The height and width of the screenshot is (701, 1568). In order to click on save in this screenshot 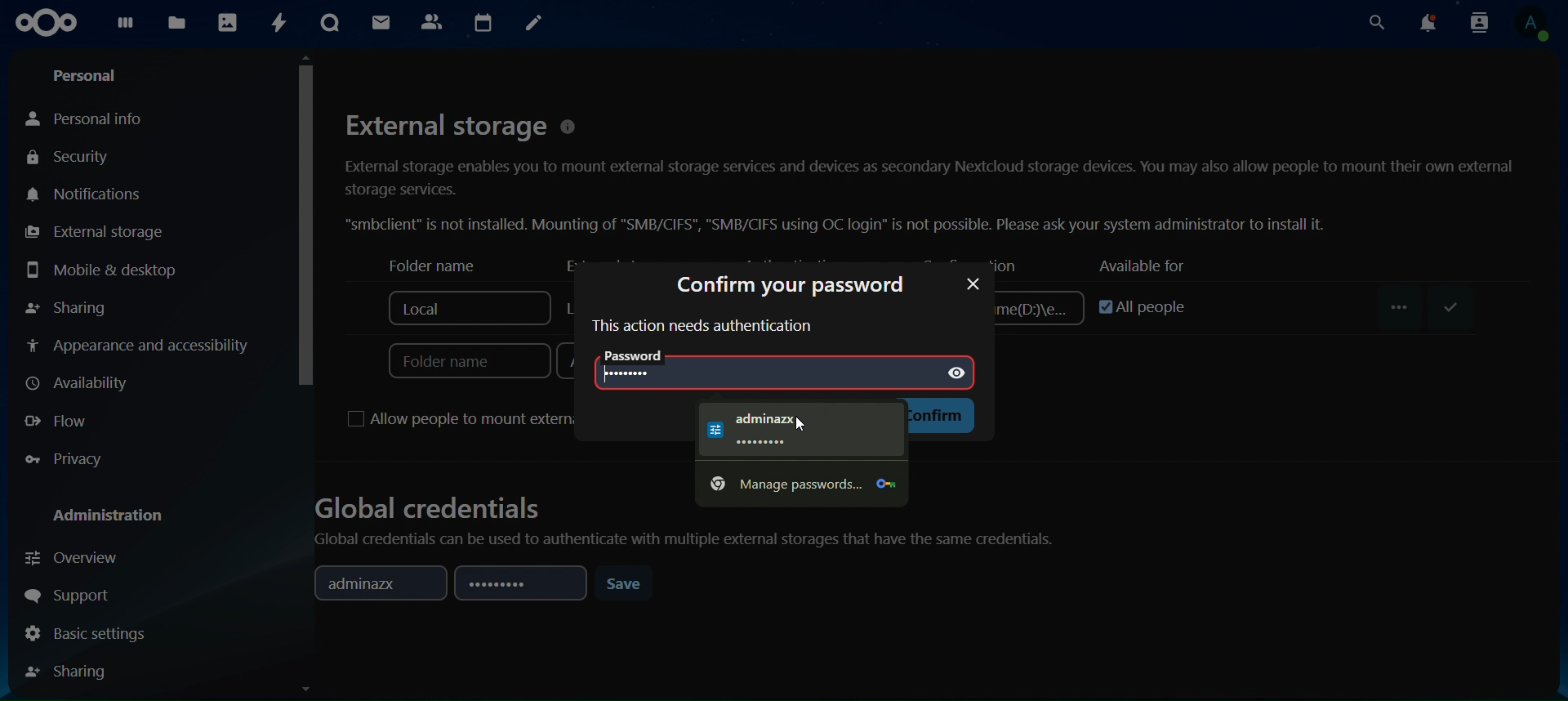, I will do `click(1446, 308)`.